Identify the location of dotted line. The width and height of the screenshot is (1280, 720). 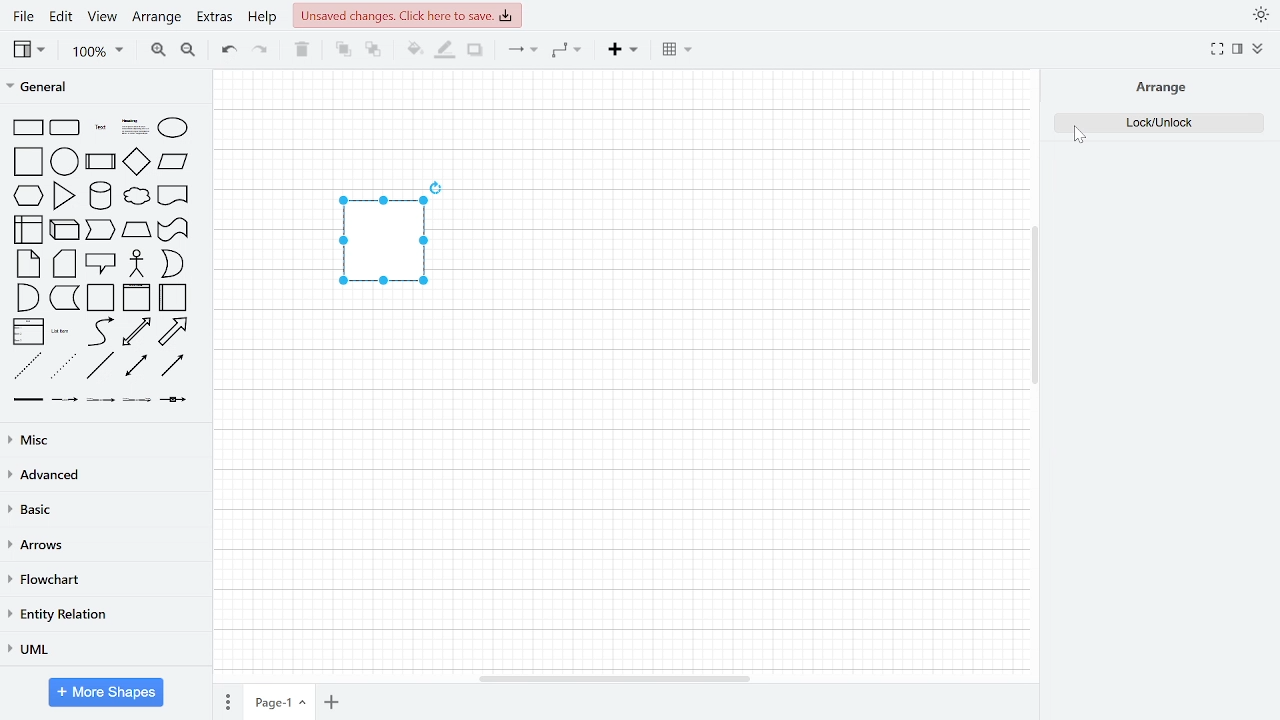
(62, 365).